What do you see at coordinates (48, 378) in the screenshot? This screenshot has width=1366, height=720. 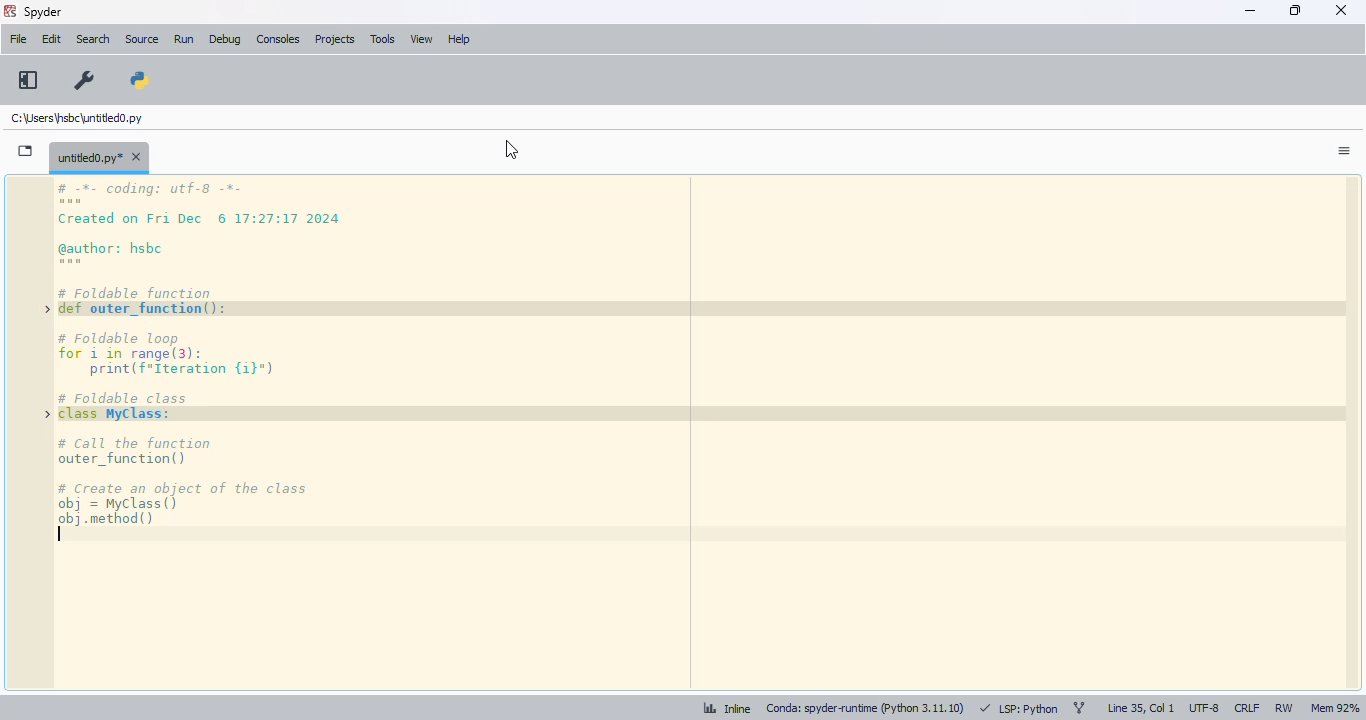 I see `code folded` at bounding box center [48, 378].